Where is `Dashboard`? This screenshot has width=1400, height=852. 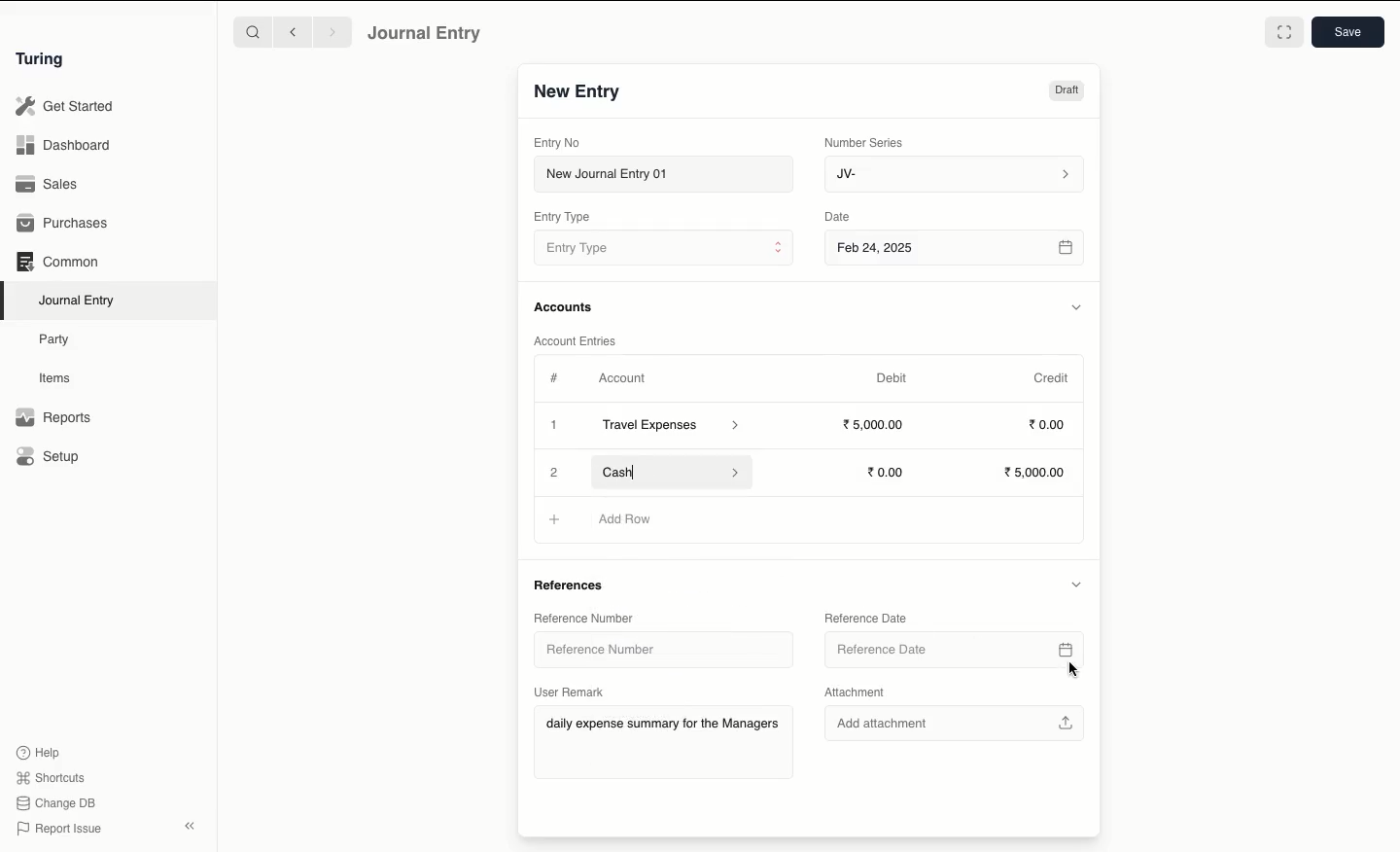 Dashboard is located at coordinates (63, 146).